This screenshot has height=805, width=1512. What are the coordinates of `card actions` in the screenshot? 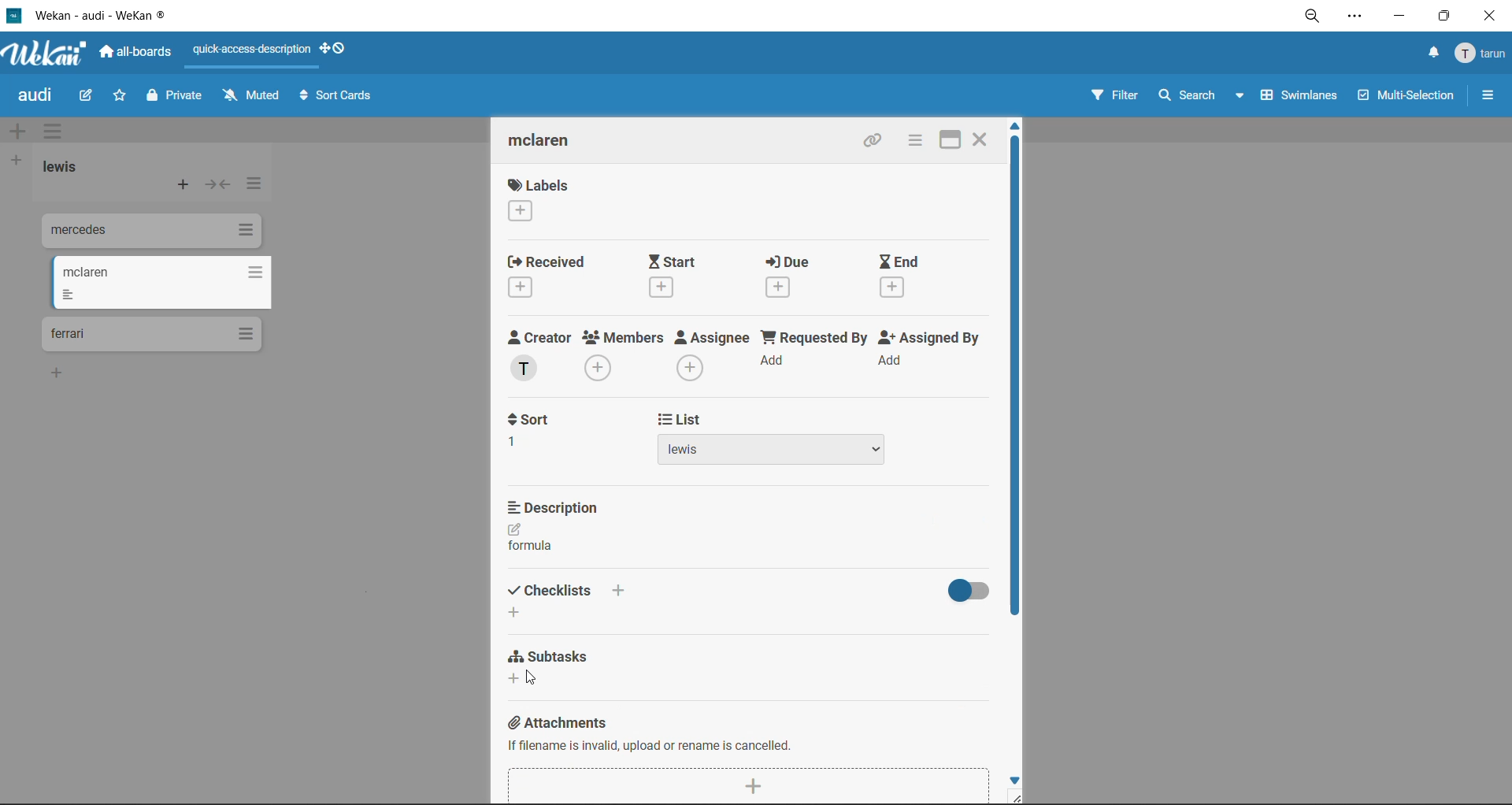 It's located at (914, 140).